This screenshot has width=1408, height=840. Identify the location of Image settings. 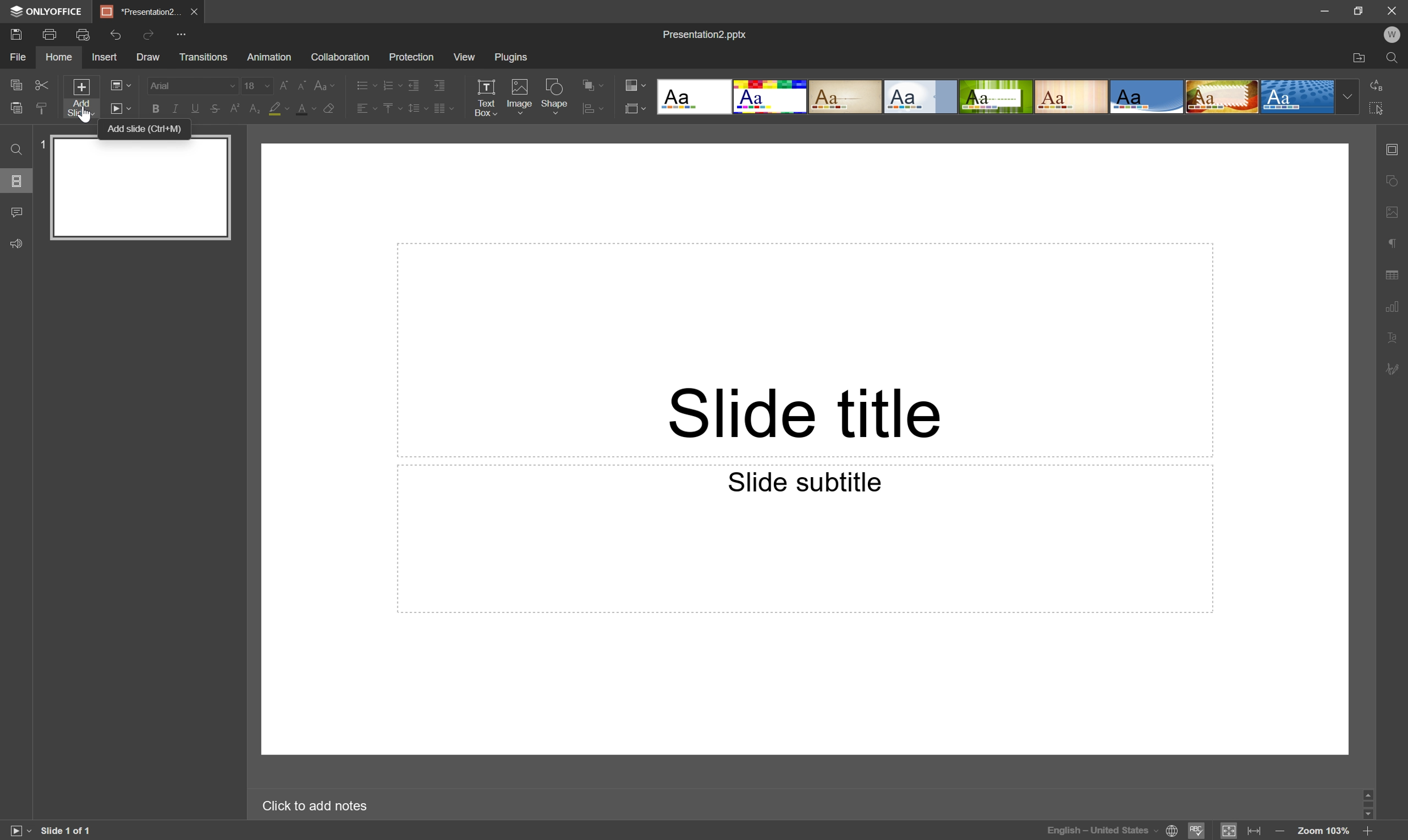
(1395, 207).